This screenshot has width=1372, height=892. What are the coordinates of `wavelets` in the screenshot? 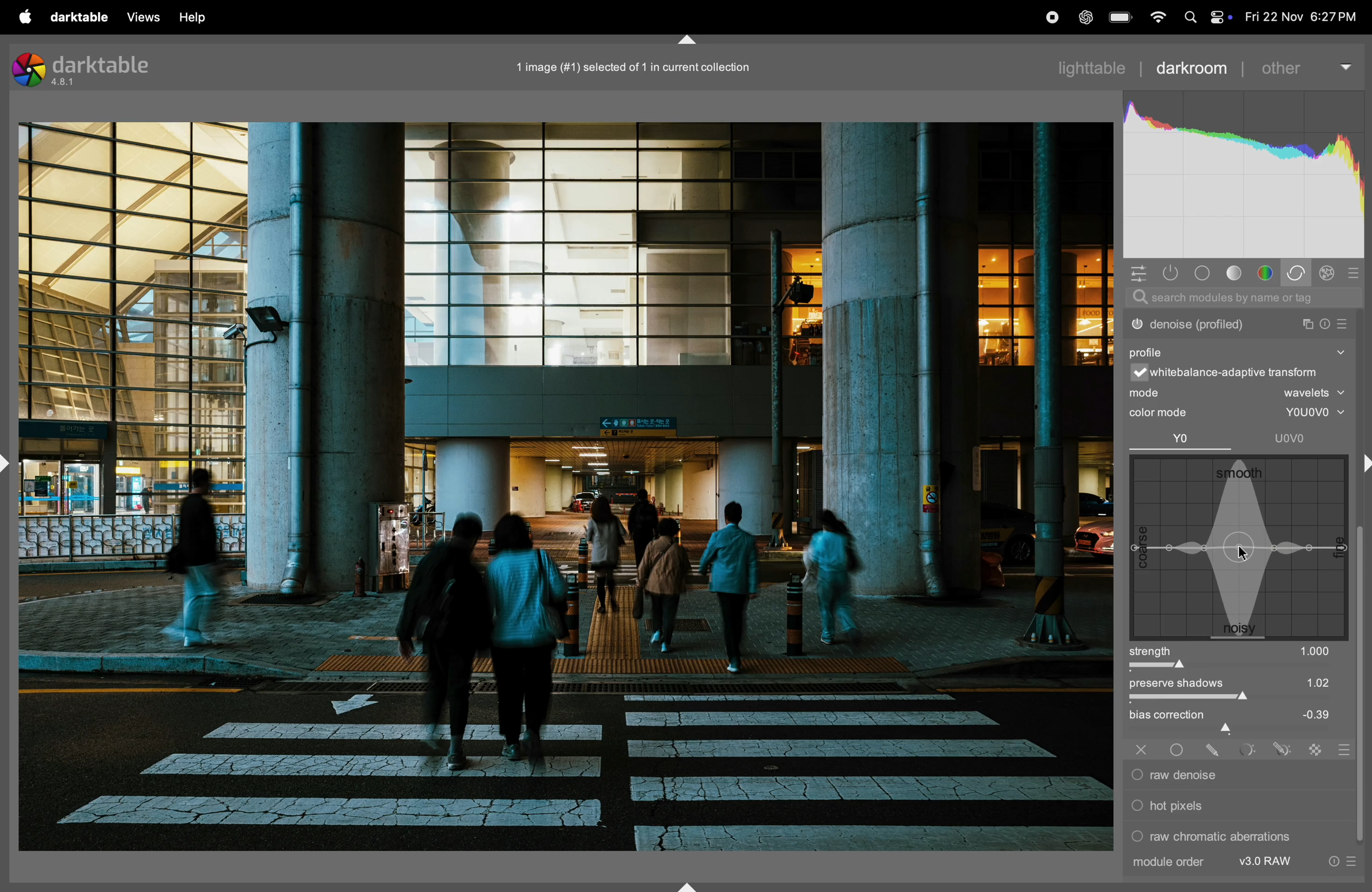 It's located at (1311, 392).